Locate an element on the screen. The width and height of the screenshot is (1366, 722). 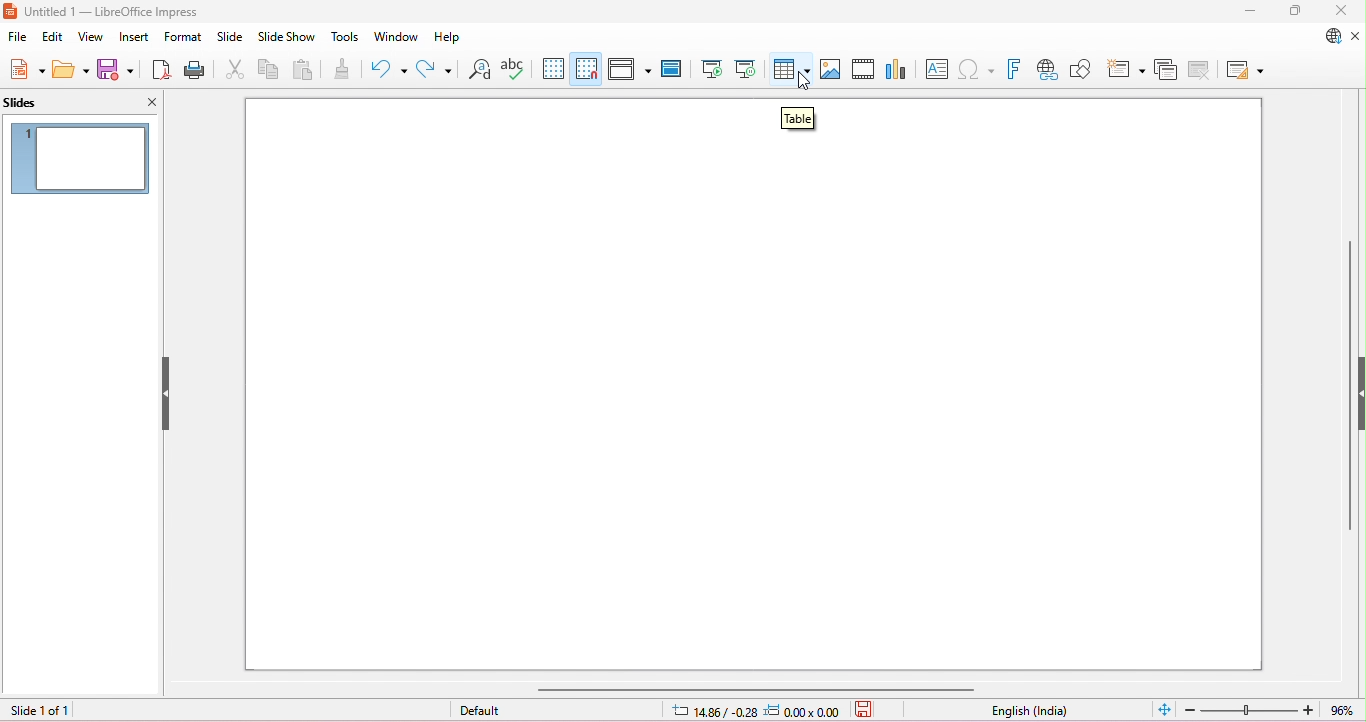
slideshow is located at coordinates (286, 37).